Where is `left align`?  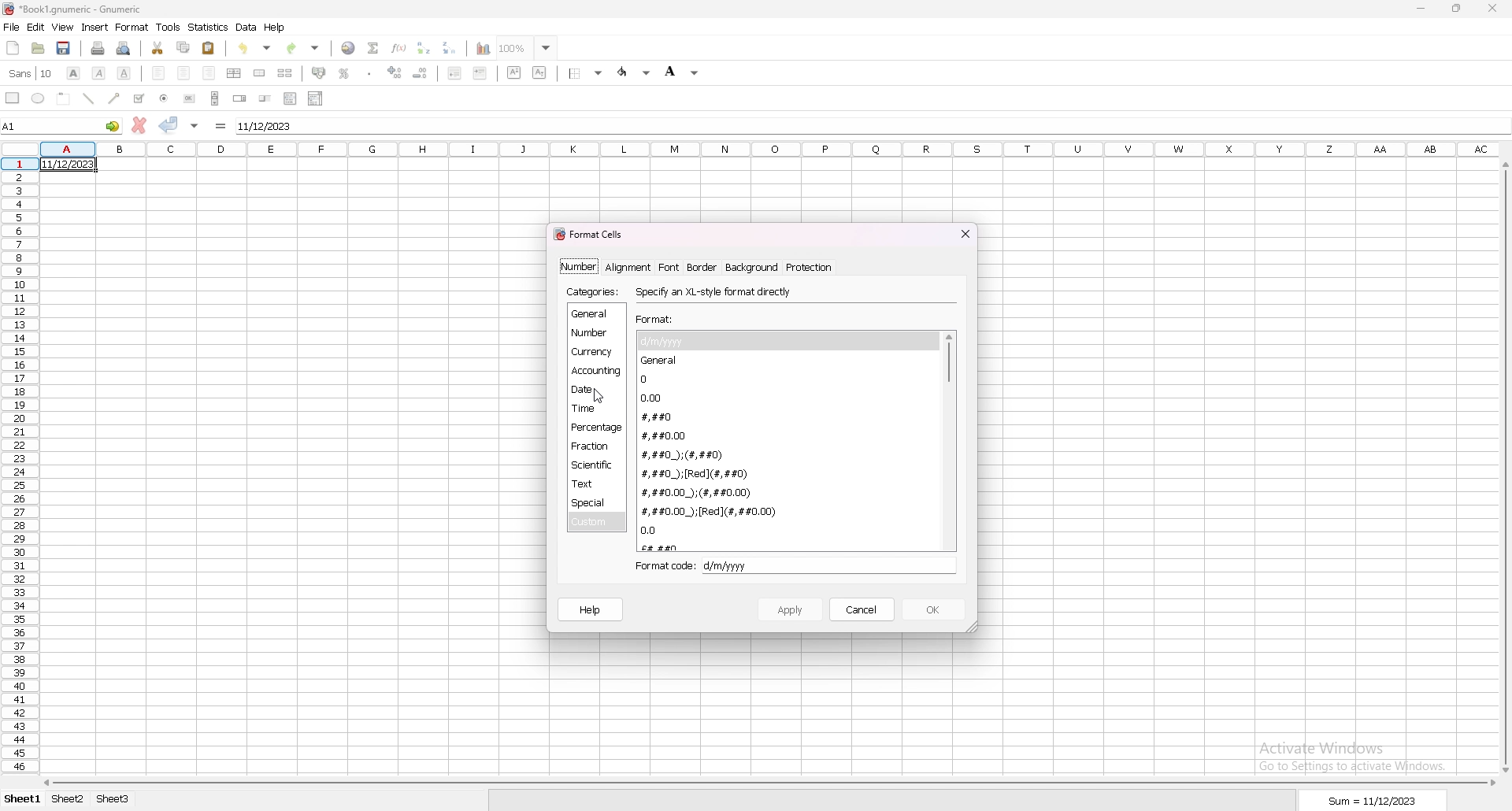
left align is located at coordinates (158, 72).